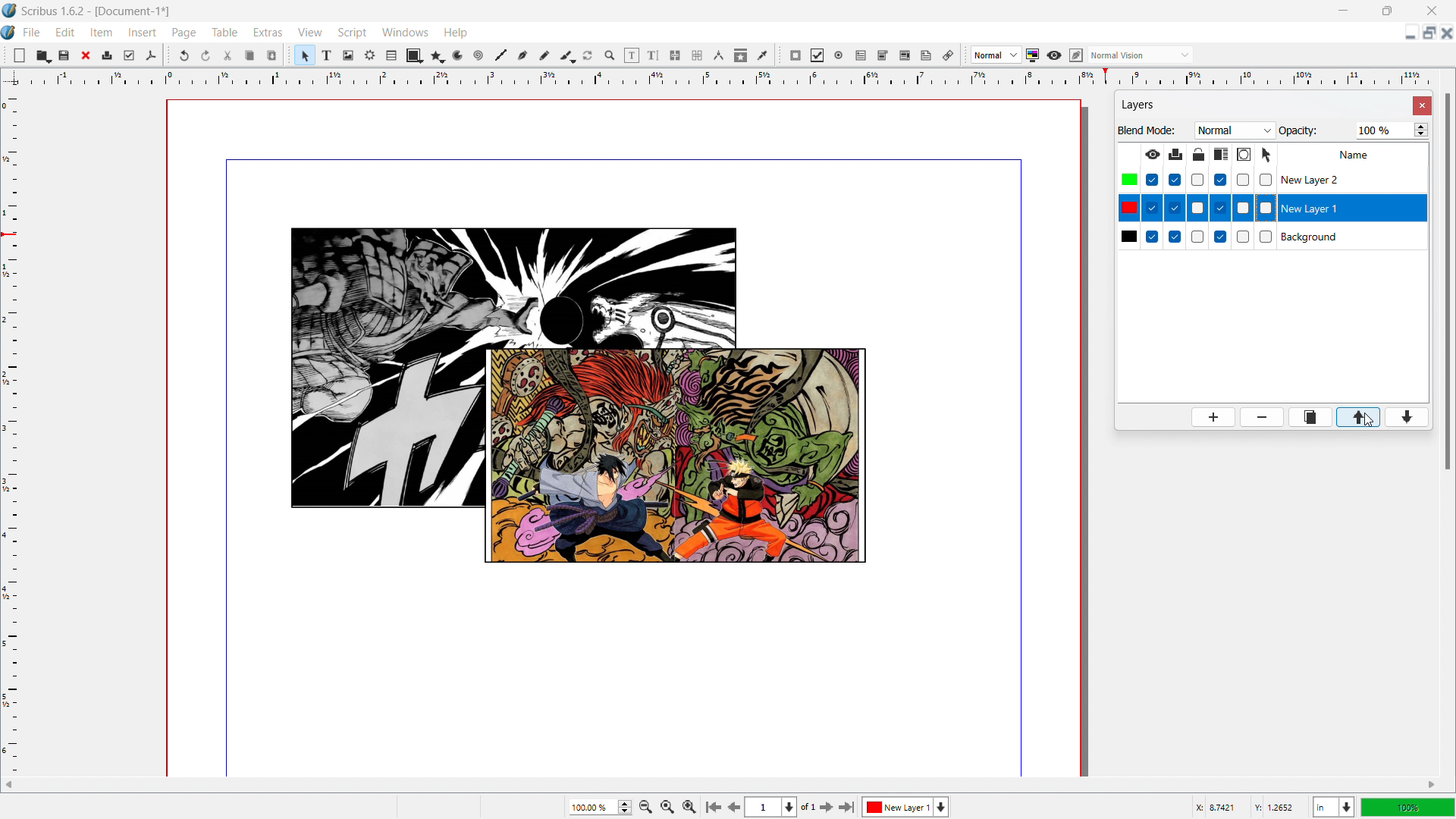 The width and height of the screenshot is (1456, 819). I want to click on layer 1, so click(1351, 208).